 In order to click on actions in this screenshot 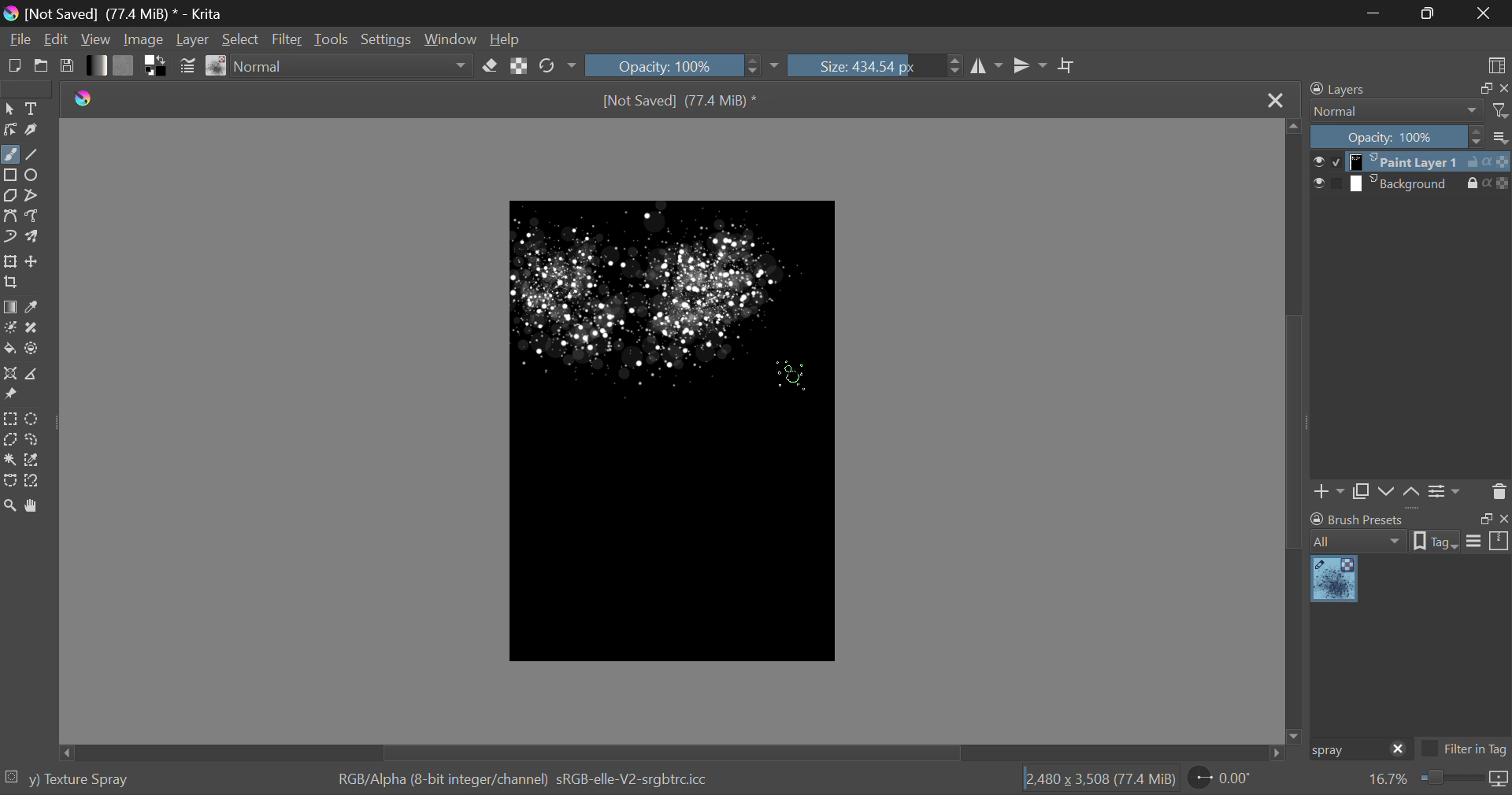, I will do `click(1488, 162)`.